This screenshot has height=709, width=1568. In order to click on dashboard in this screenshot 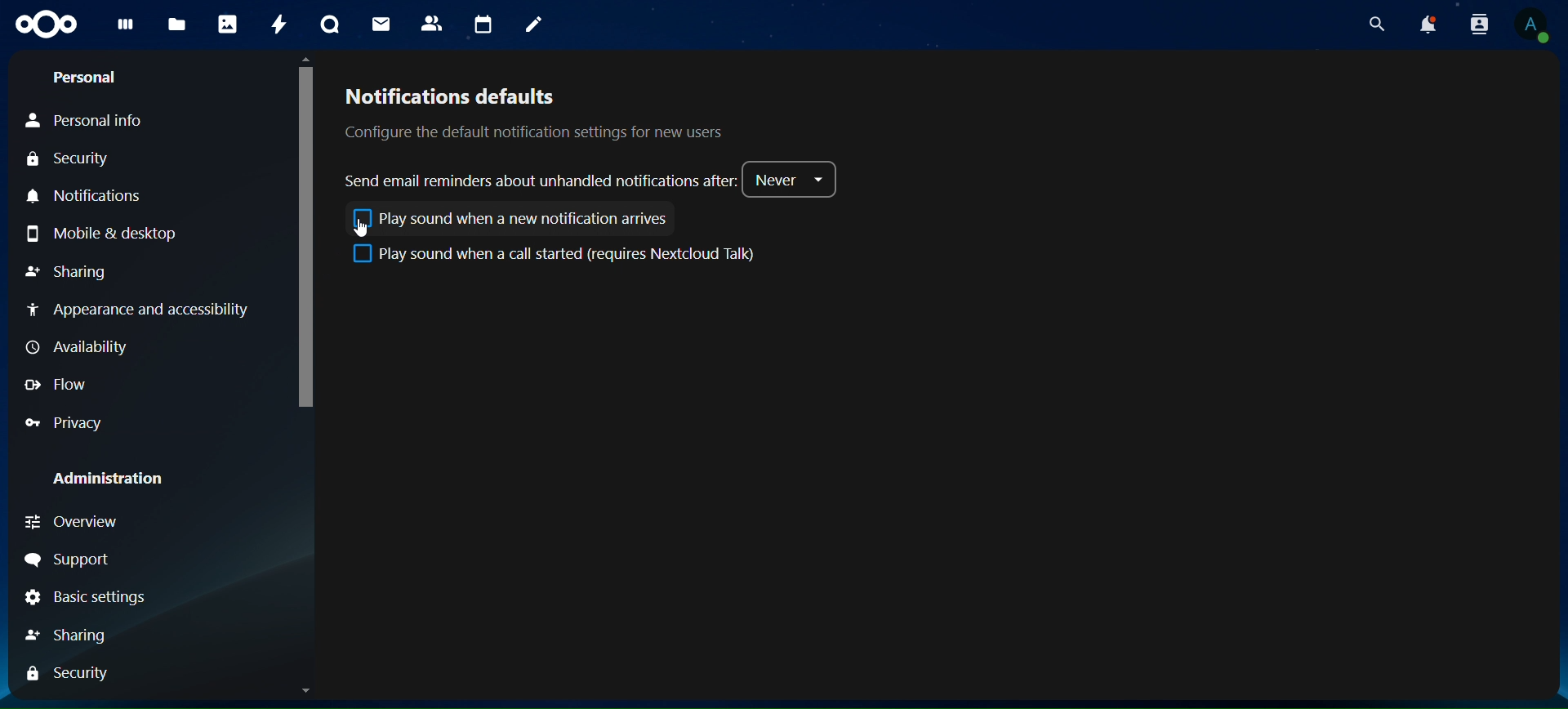, I will do `click(124, 29)`.